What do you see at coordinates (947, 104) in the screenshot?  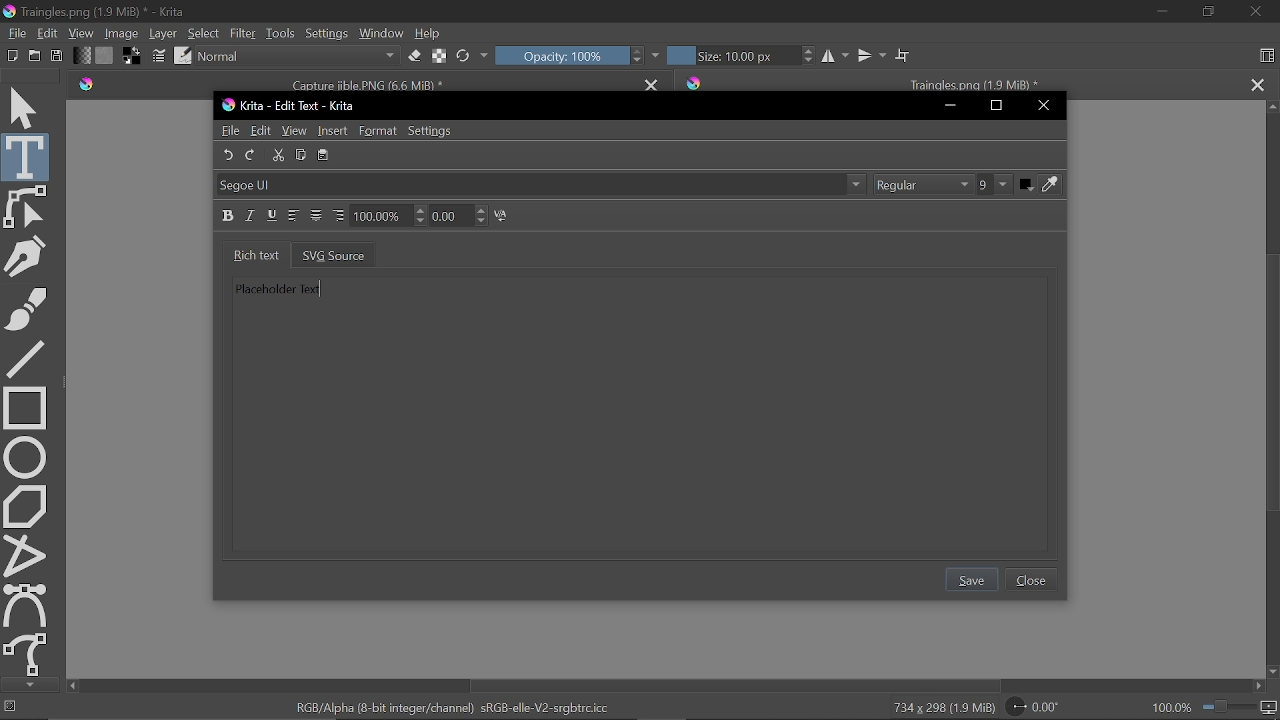 I see `Minimize` at bounding box center [947, 104].